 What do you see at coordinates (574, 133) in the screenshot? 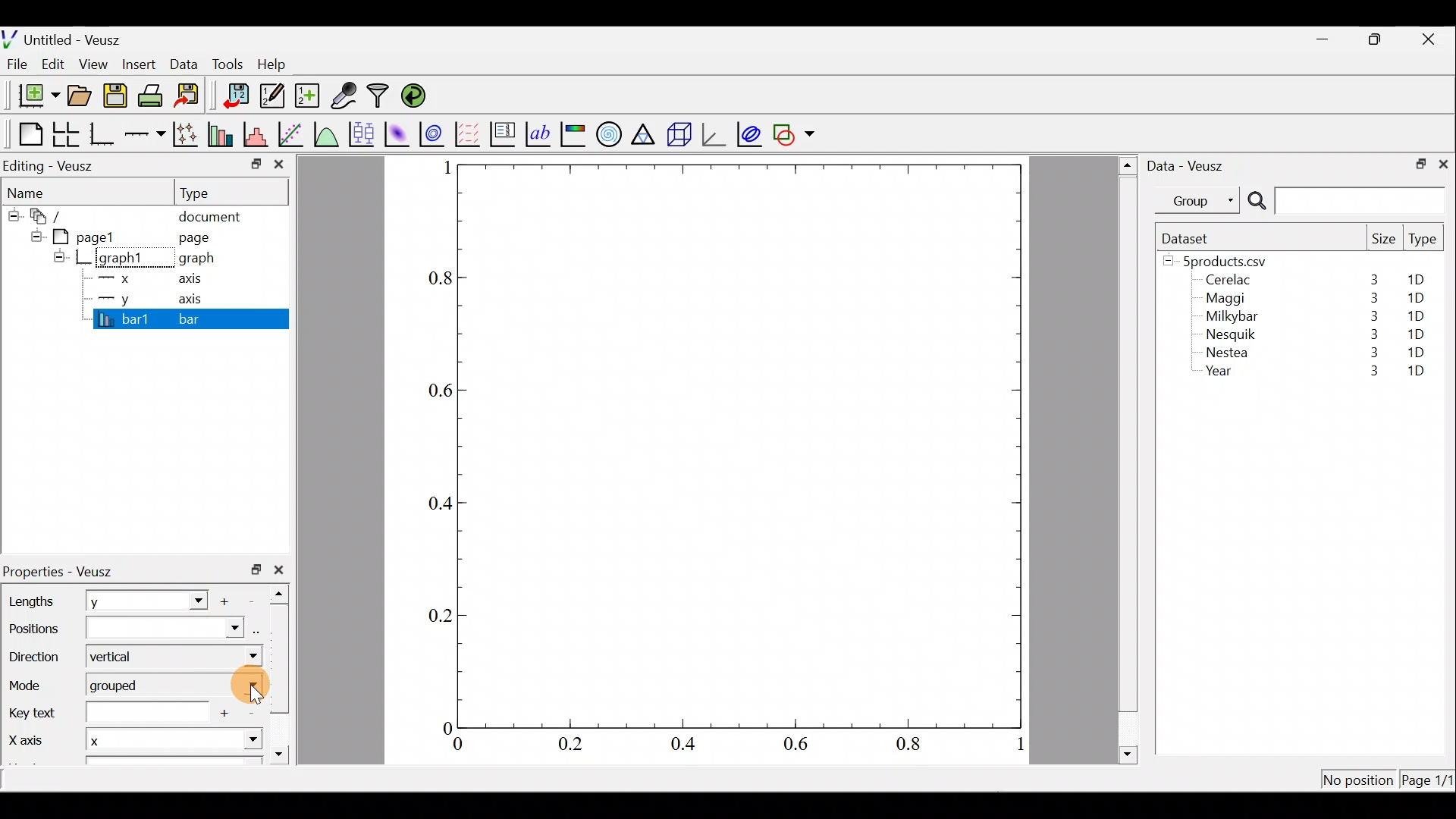
I see `Image color bar` at bounding box center [574, 133].